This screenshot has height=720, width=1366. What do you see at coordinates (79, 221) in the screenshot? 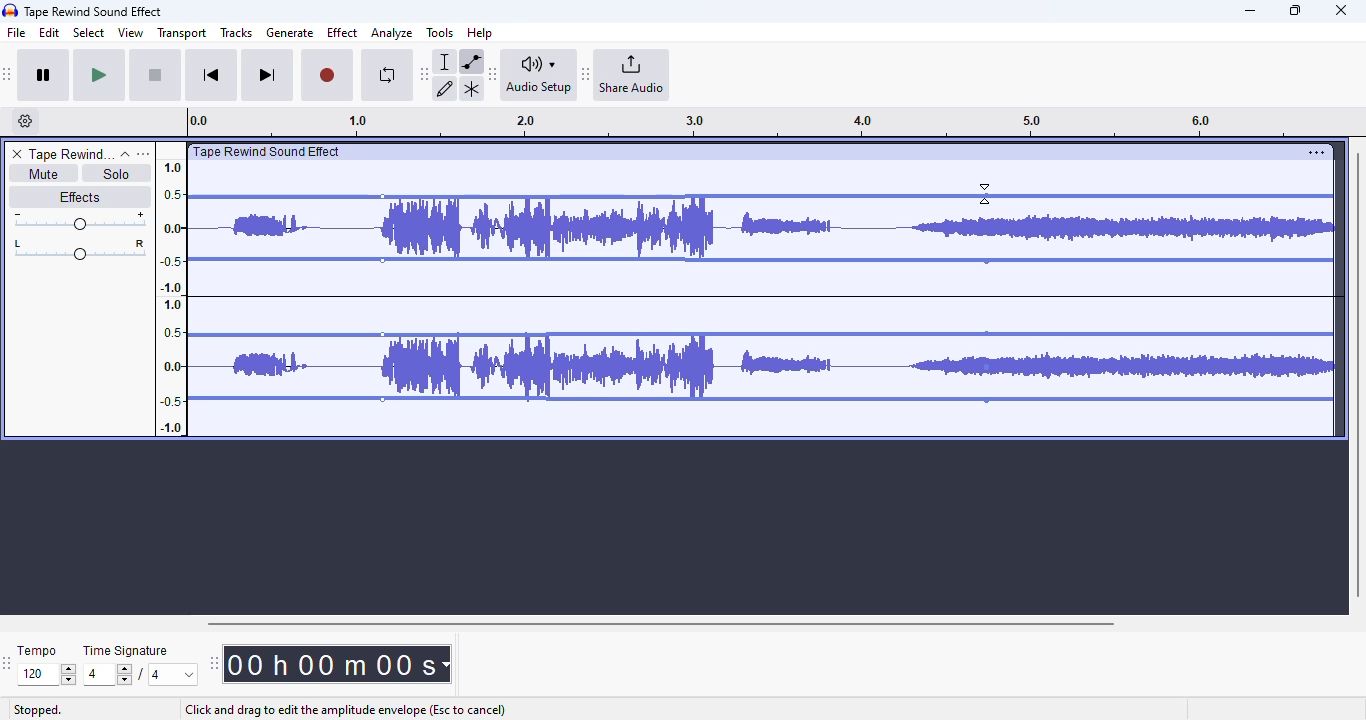
I see `Change volume` at bounding box center [79, 221].